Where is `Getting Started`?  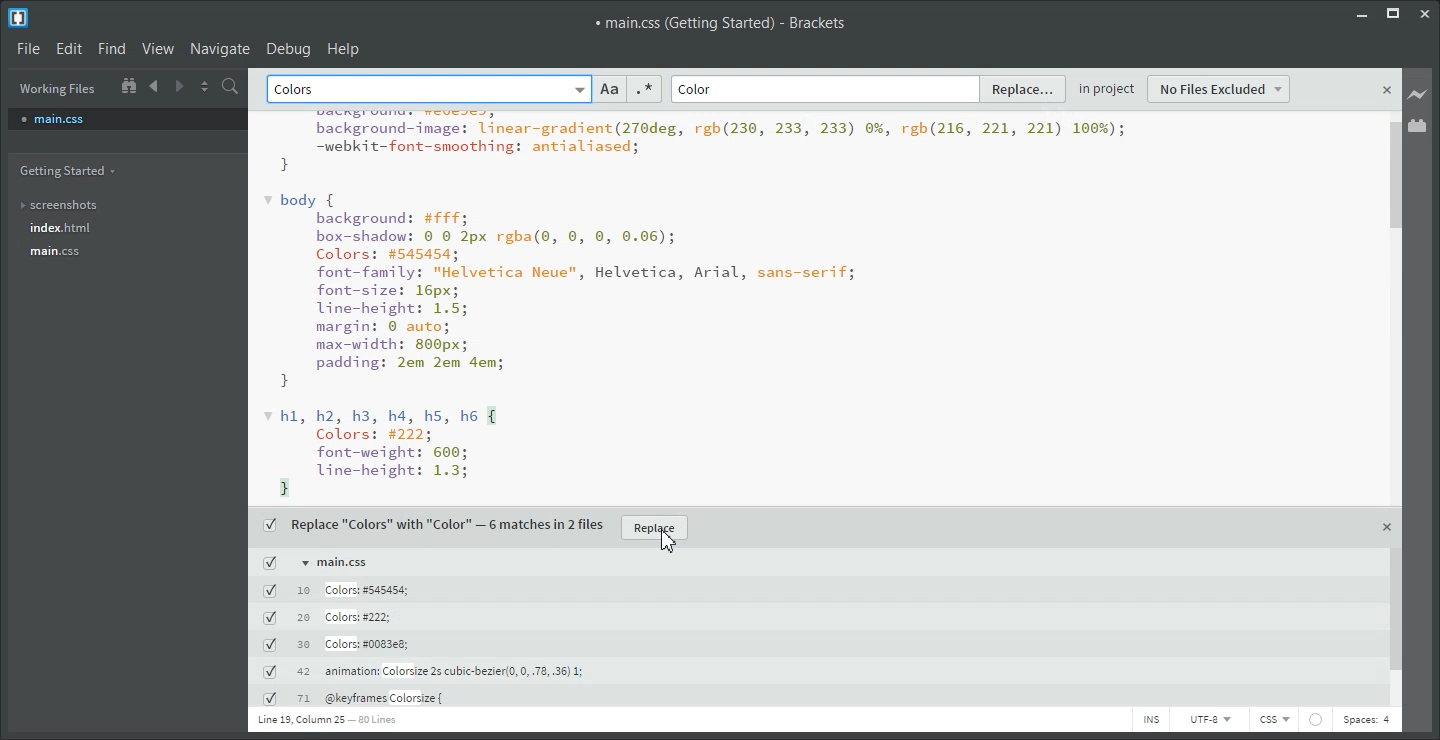
Getting Started is located at coordinates (72, 171).